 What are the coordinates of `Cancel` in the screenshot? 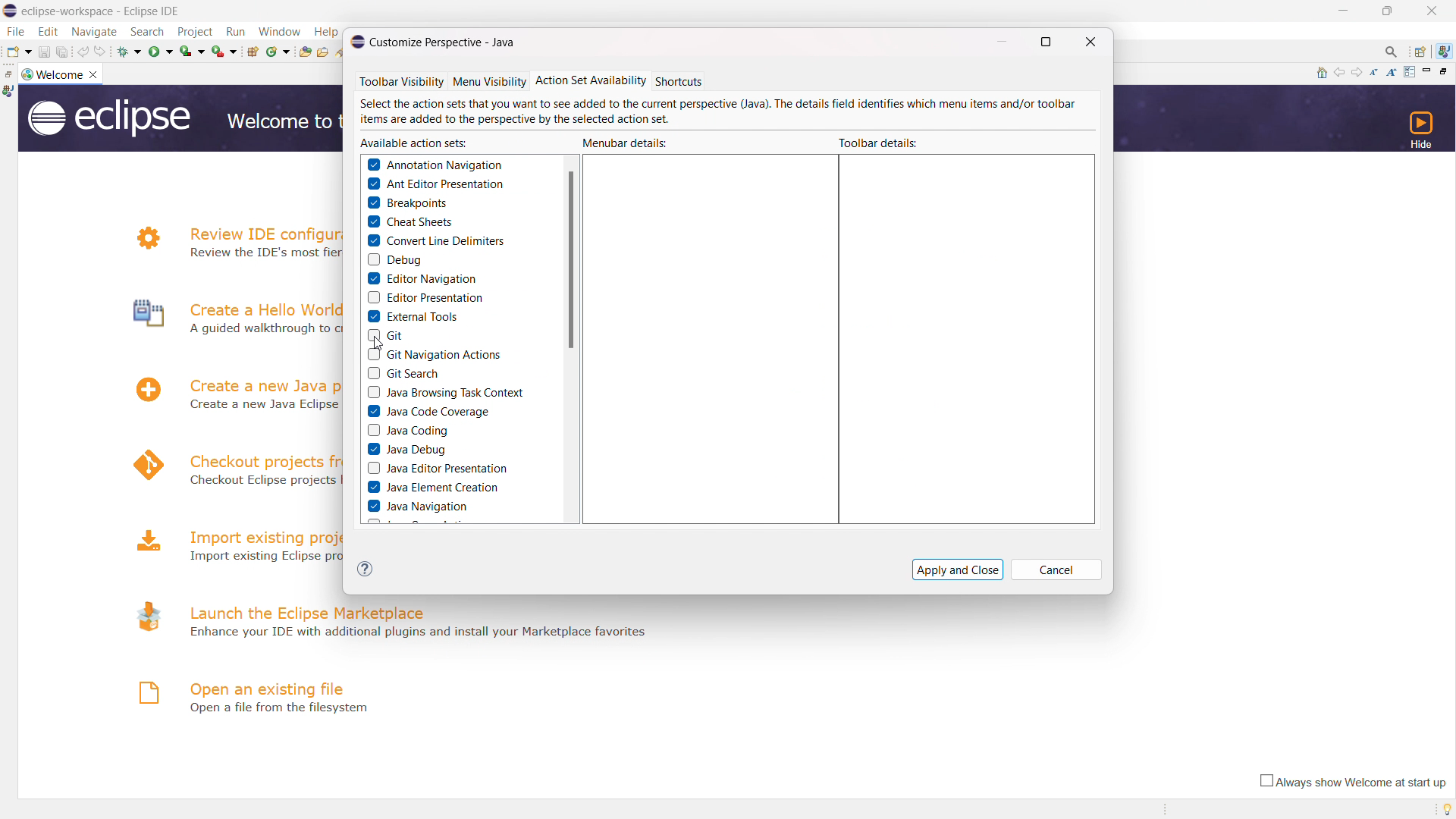 It's located at (1059, 568).